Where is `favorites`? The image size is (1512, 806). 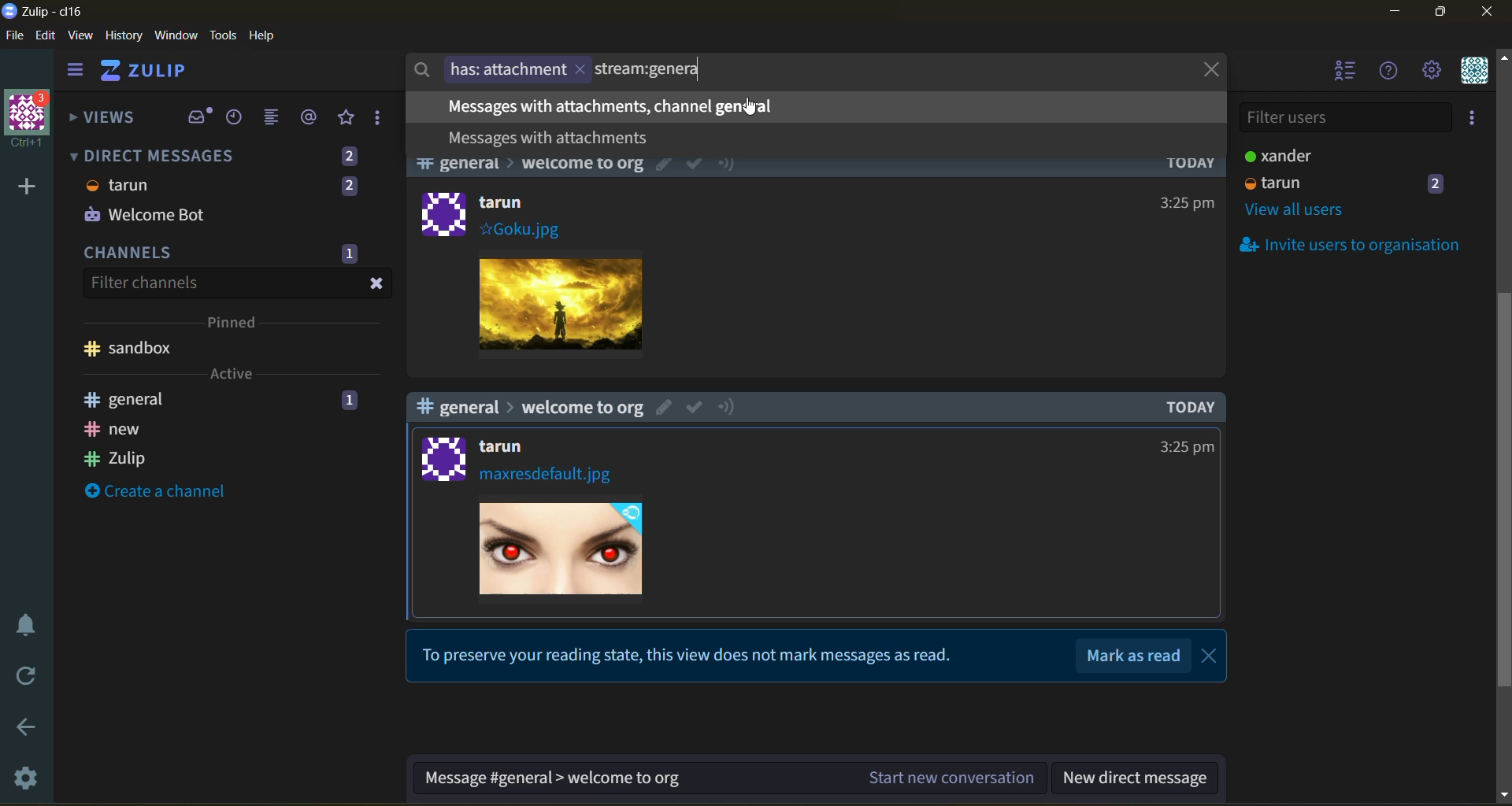
favorites is located at coordinates (348, 118).